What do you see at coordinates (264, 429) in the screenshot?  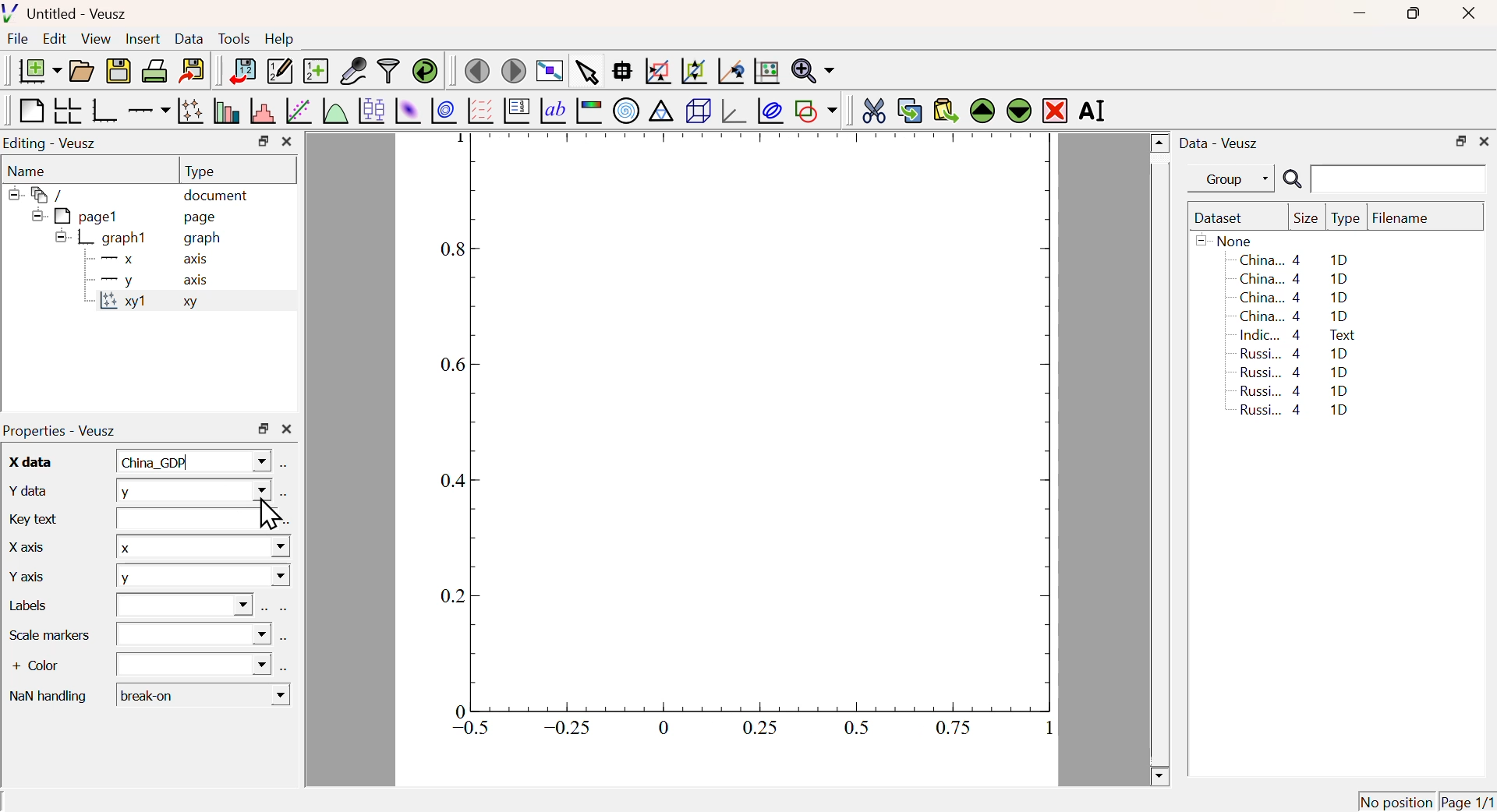 I see `Restore Down` at bounding box center [264, 429].